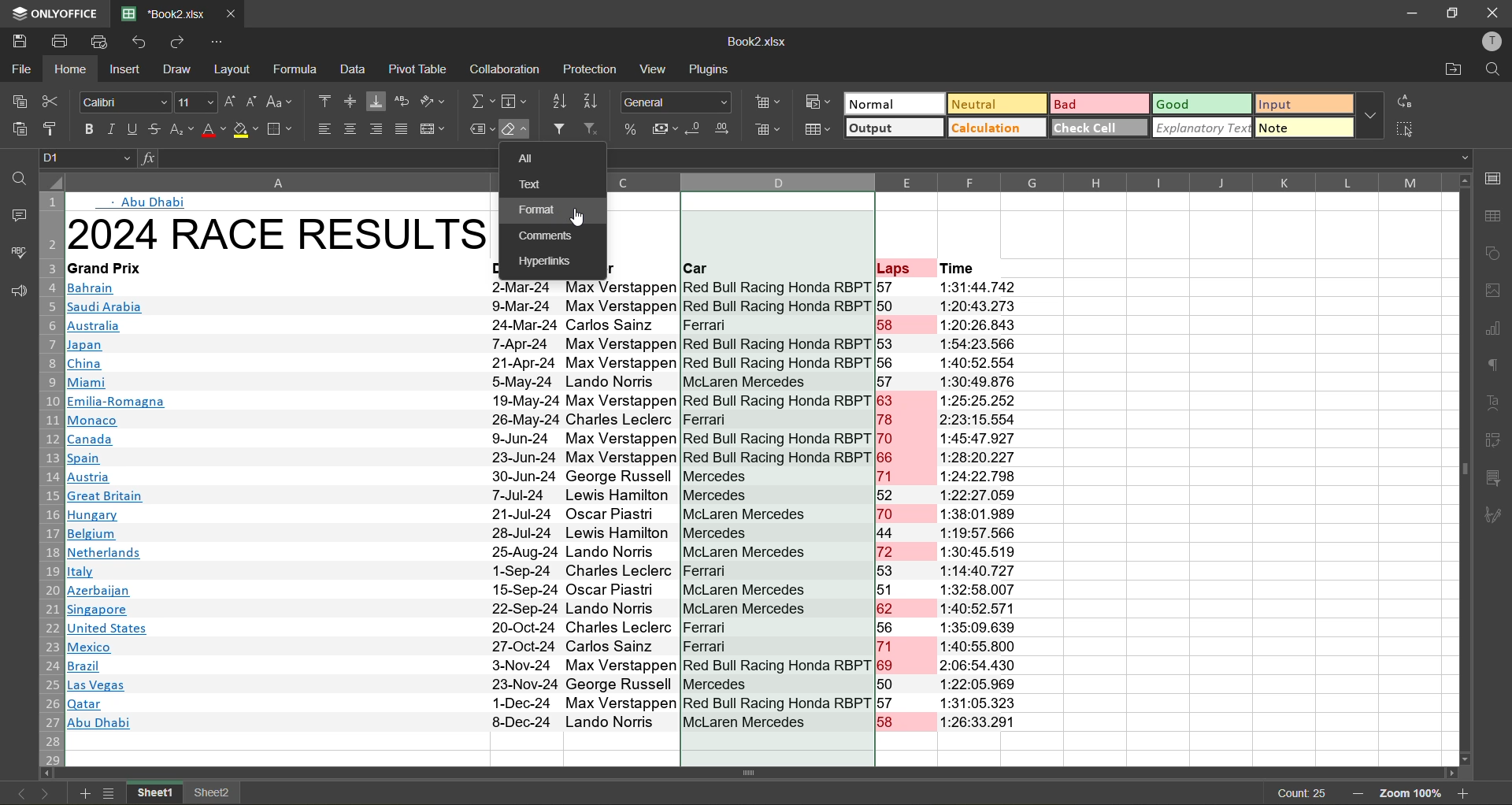 The width and height of the screenshot is (1512, 805). Describe the element at coordinates (1404, 102) in the screenshot. I see `replace` at that location.